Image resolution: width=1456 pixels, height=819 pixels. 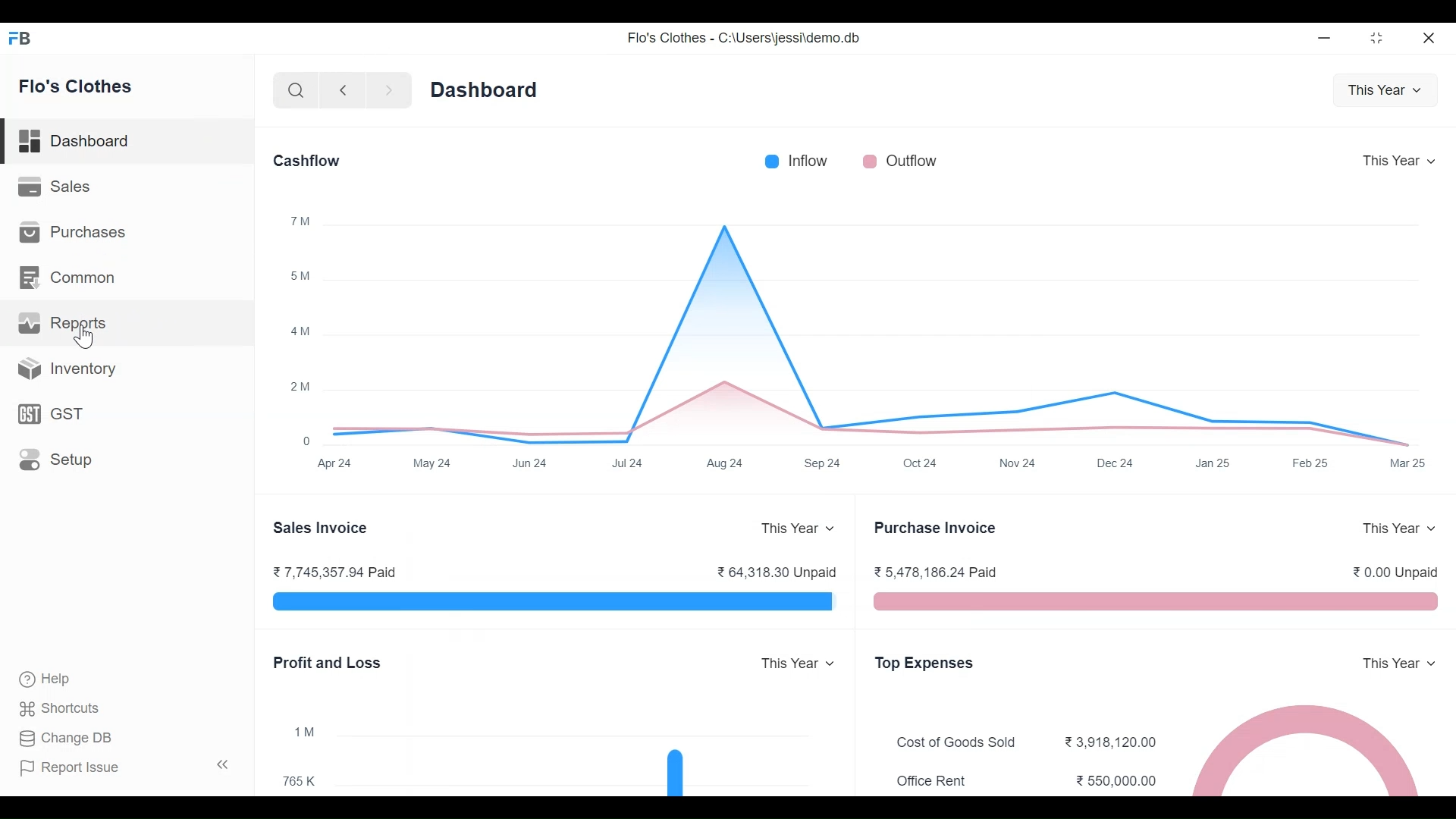 I want to click on Shortcuts, so click(x=61, y=708).